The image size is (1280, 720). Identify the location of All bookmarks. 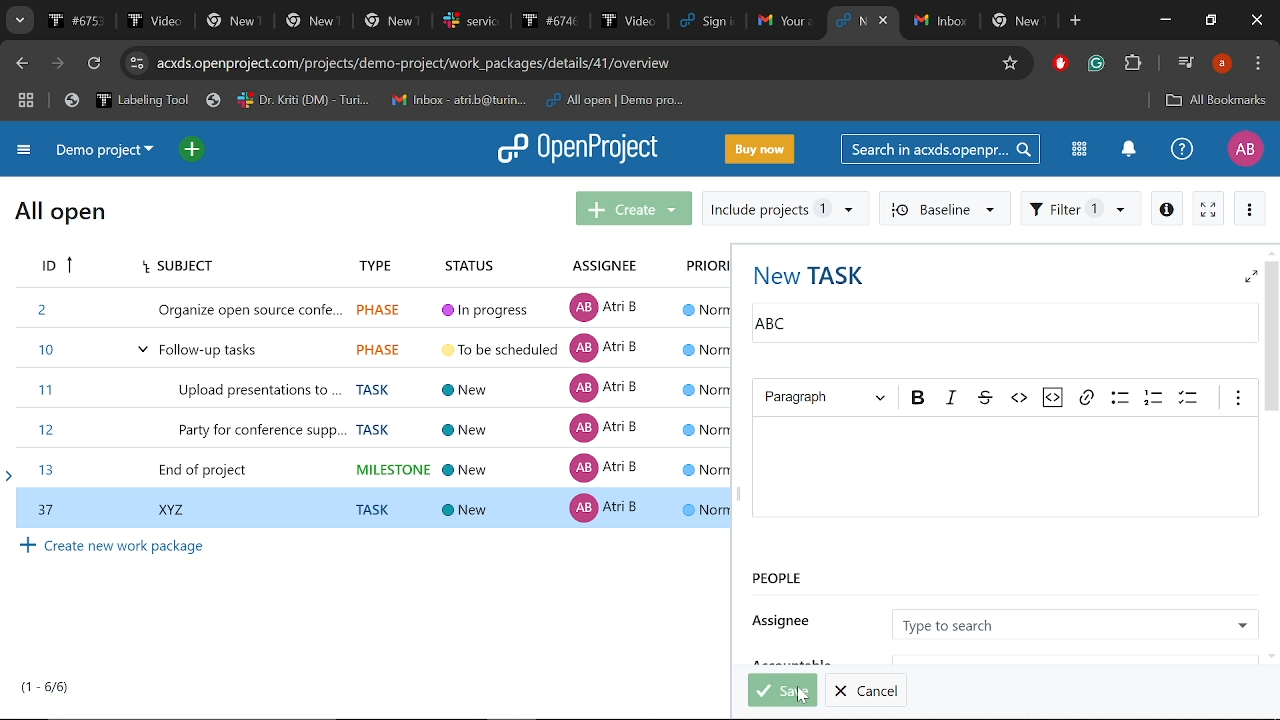
(1216, 102).